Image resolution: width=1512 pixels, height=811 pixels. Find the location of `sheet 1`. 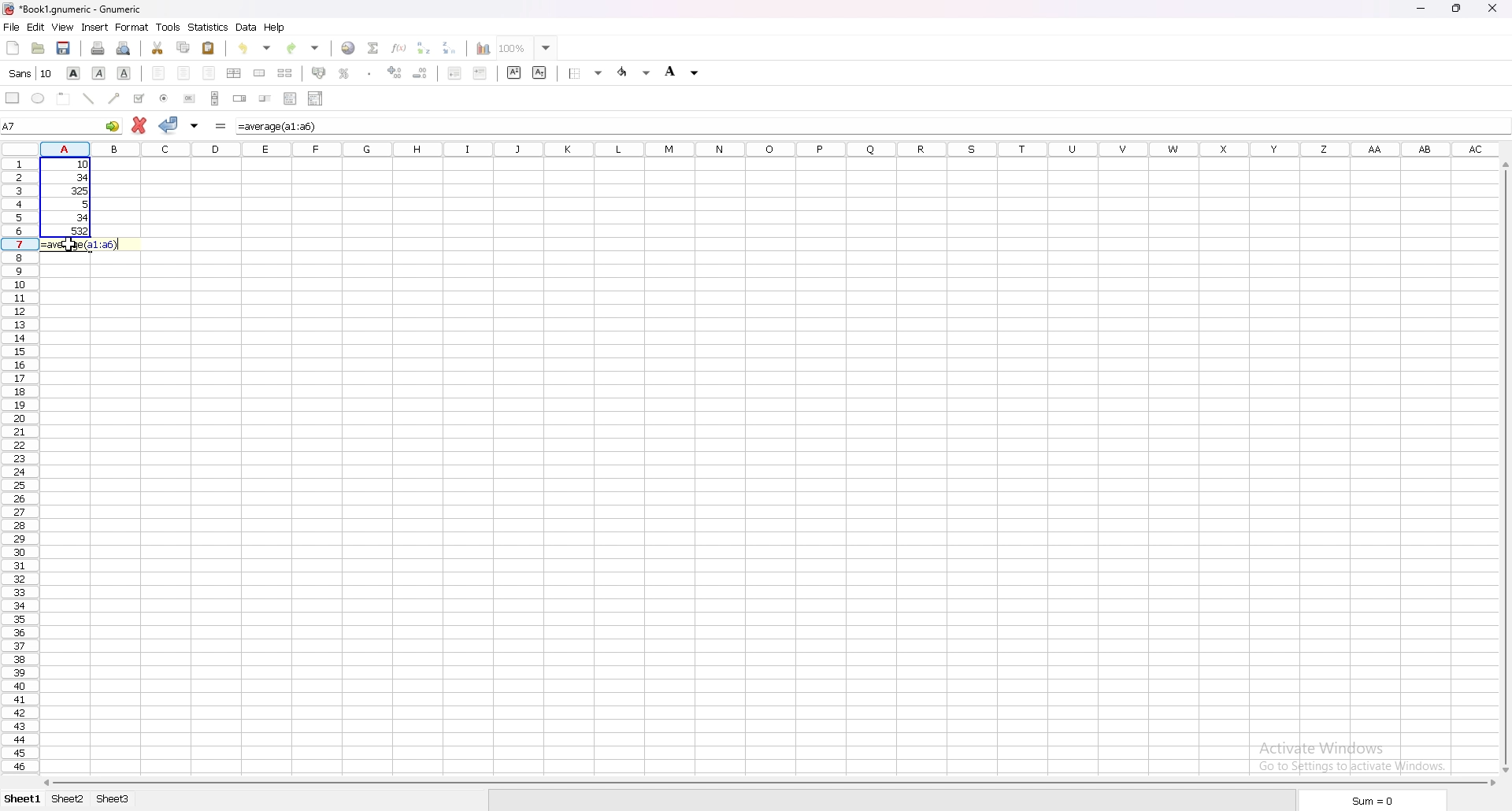

sheet 1 is located at coordinates (21, 800).